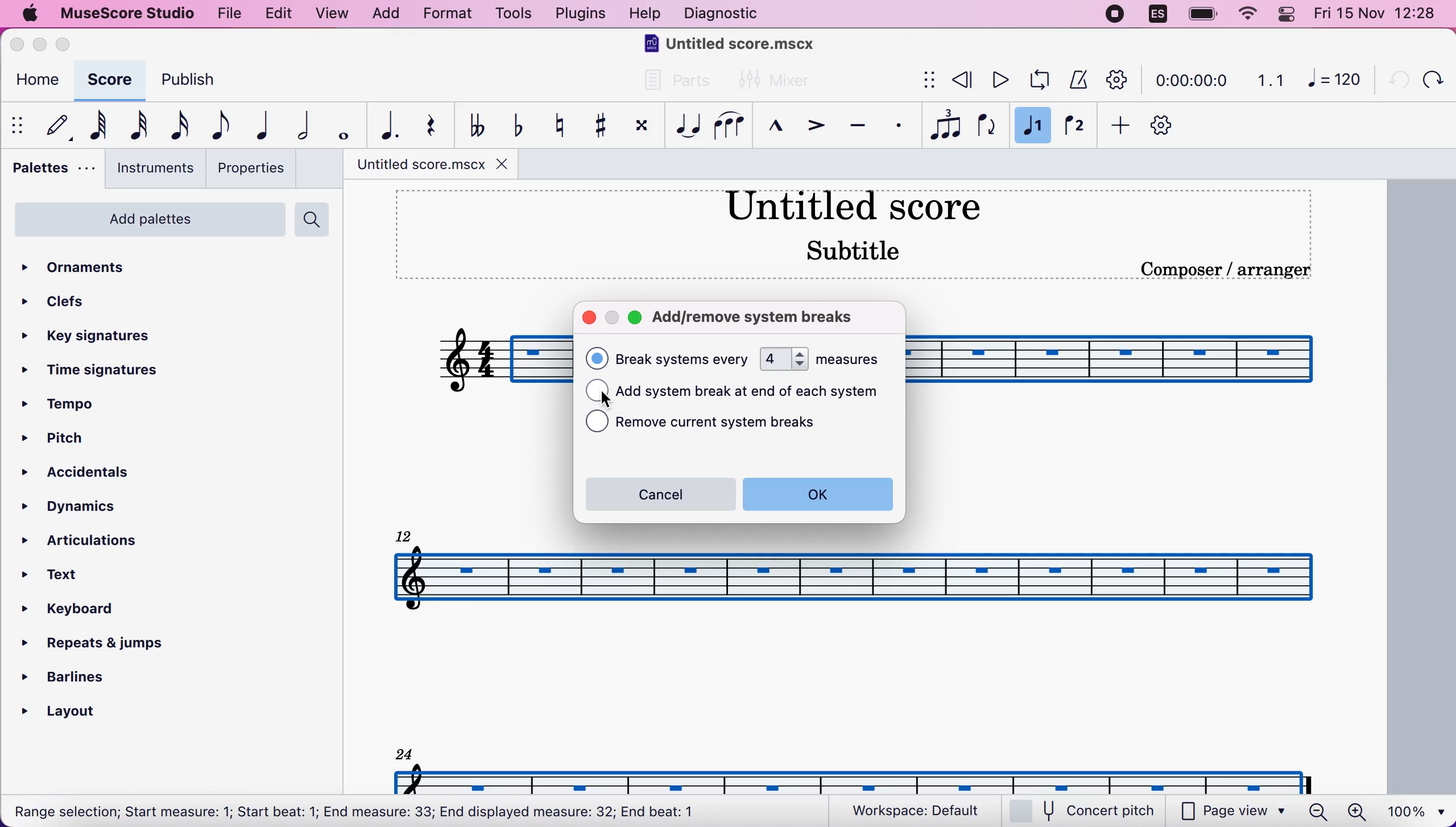 The width and height of the screenshot is (1456, 827). Describe the element at coordinates (1116, 15) in the screenshot. I see `recording stopped` at that location.